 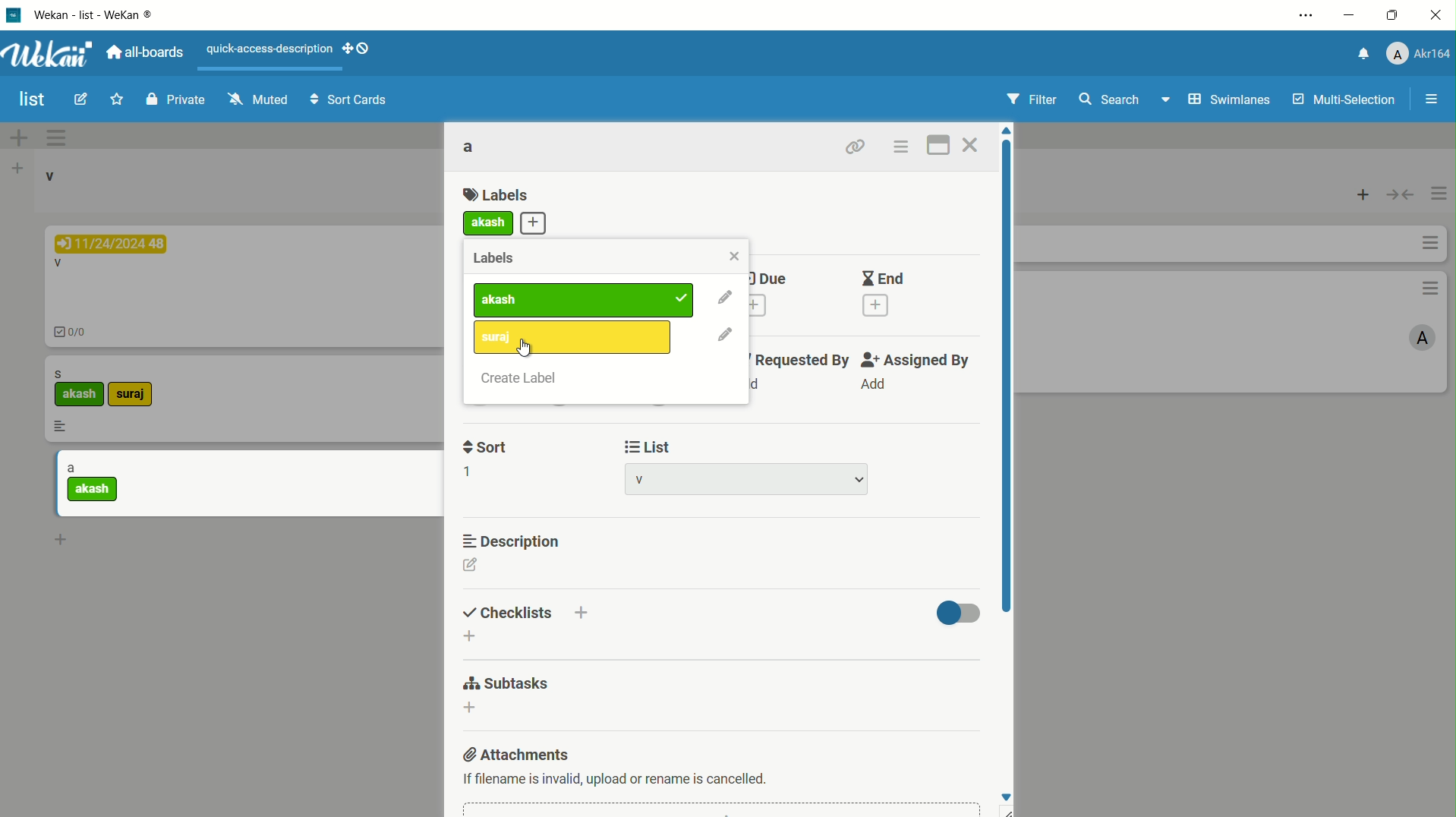 I want to click on notification, so click(x=1361, y=54).